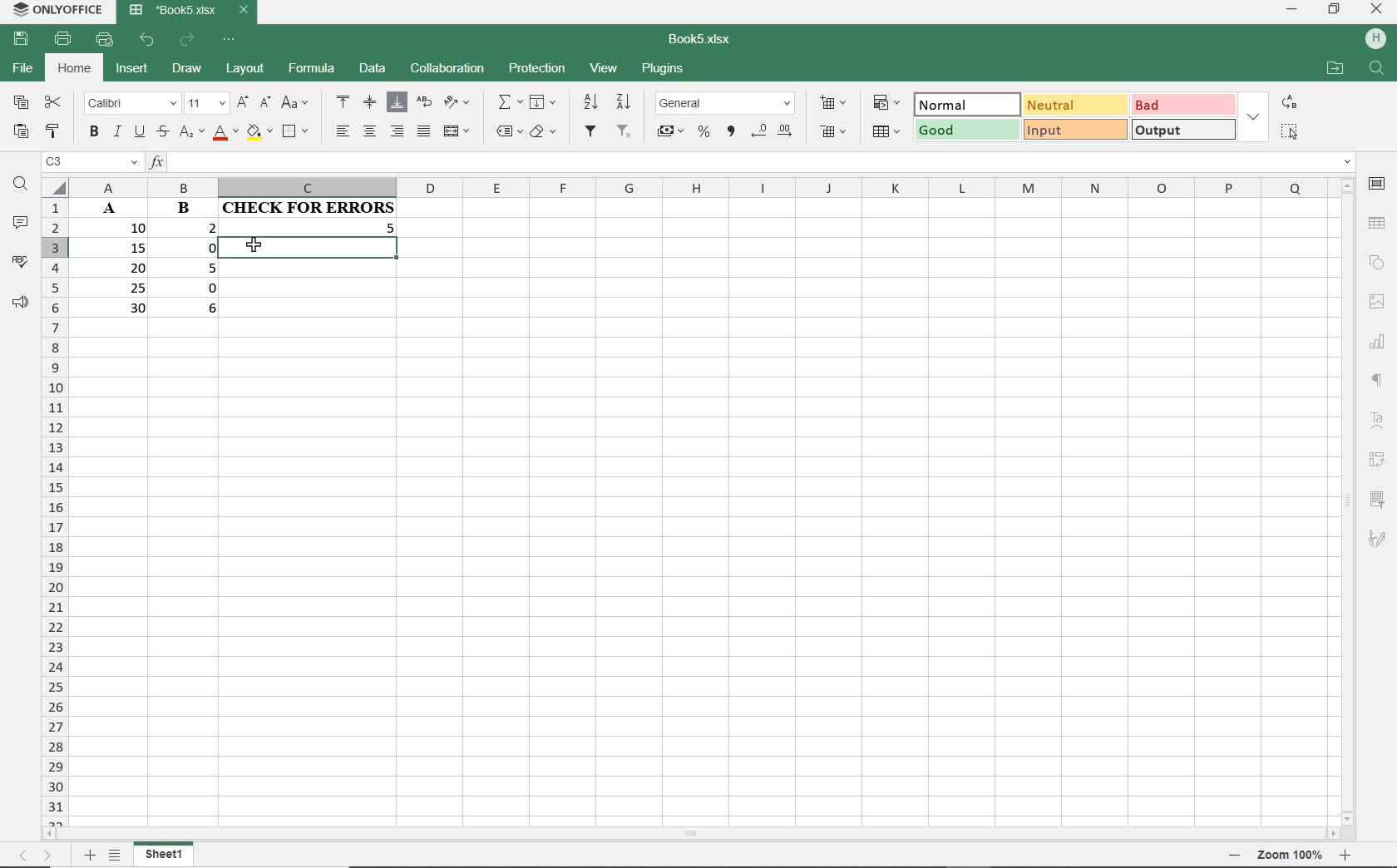  Describe the element at coordinates (1289, 101) in the screenshot. I see `REPLACE` at that location.